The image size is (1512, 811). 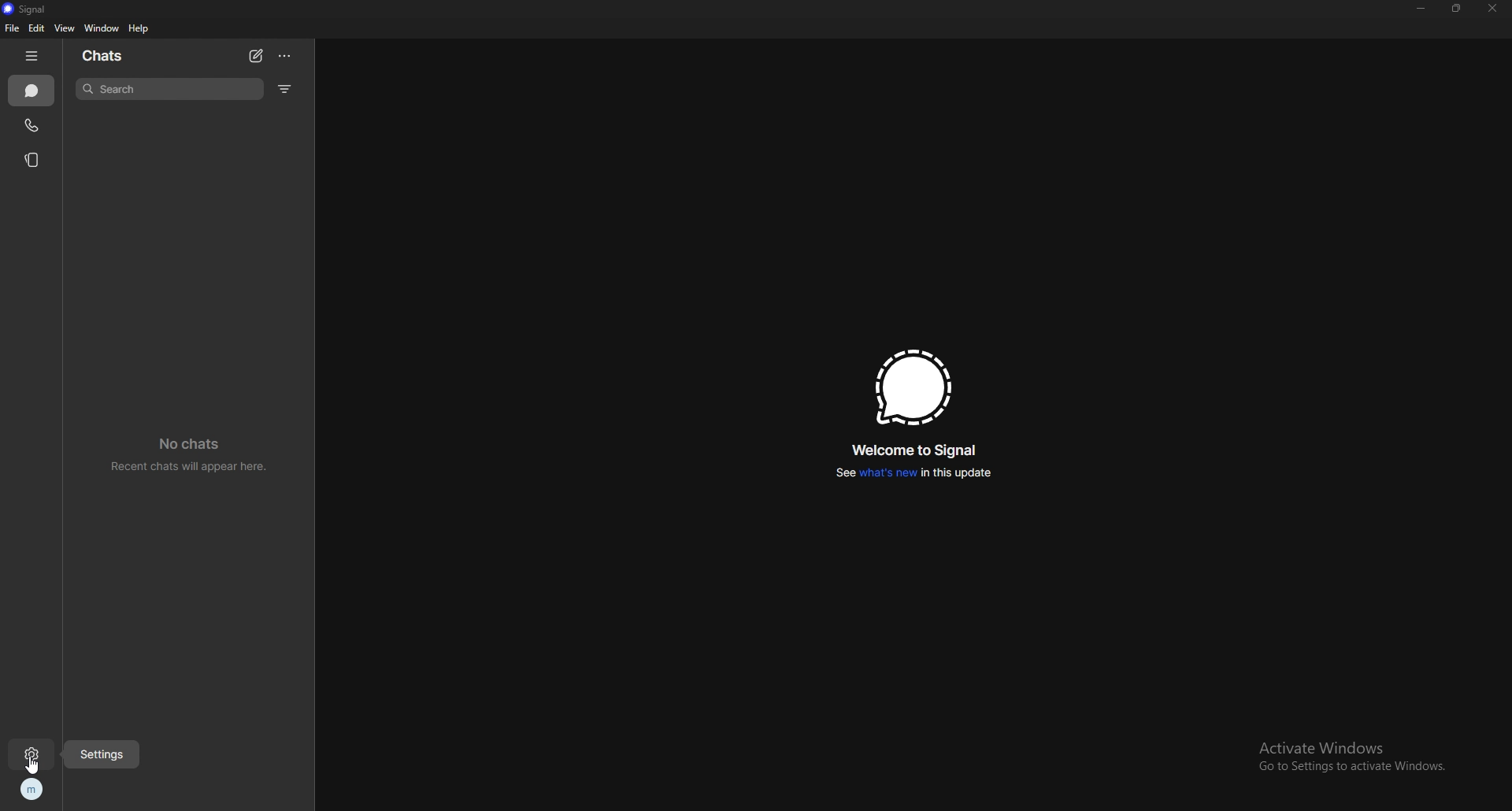 I want to click on stories, so click(x=35, y=161).